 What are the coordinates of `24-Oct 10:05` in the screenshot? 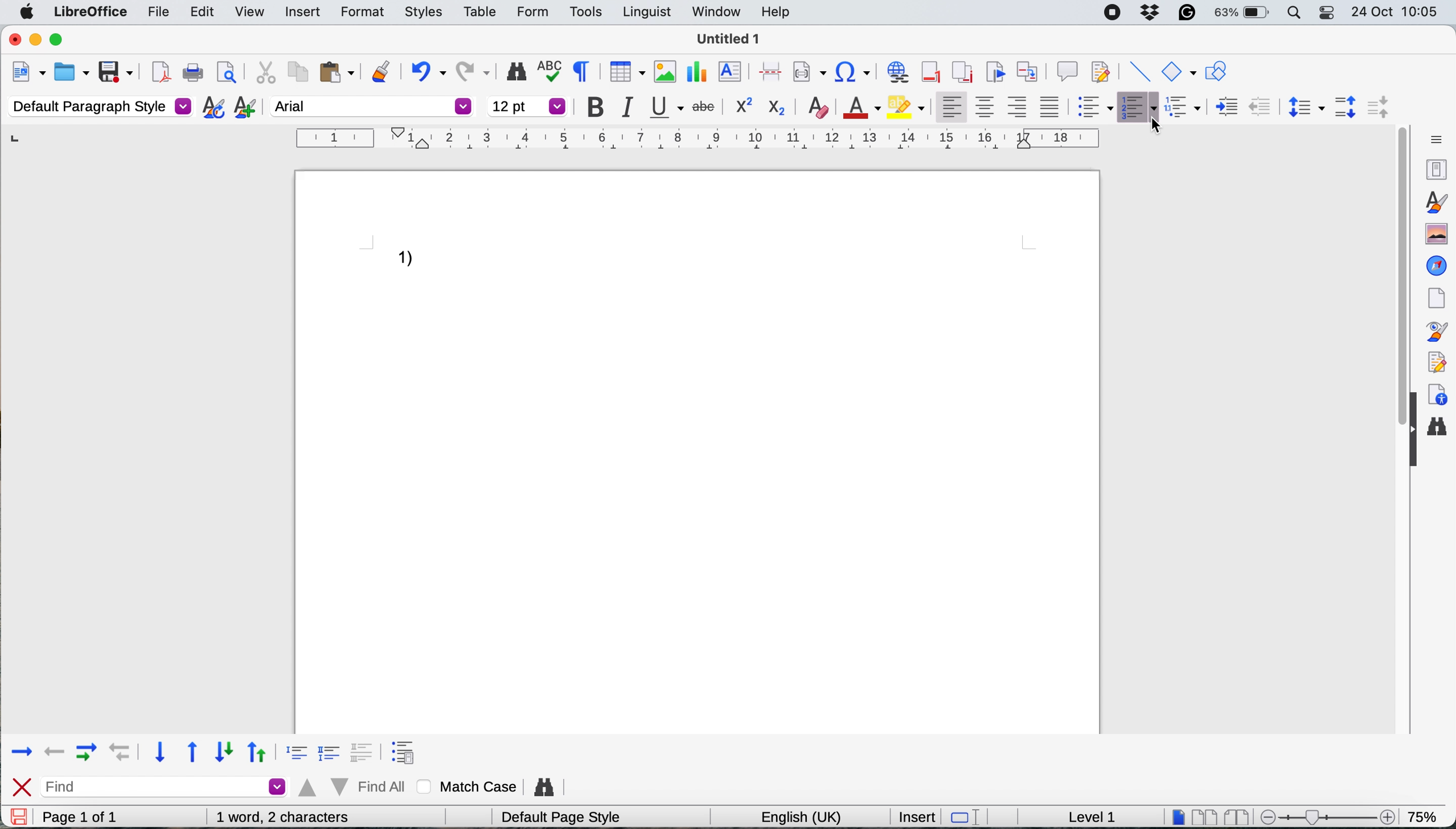 It's located at (1397, 12).